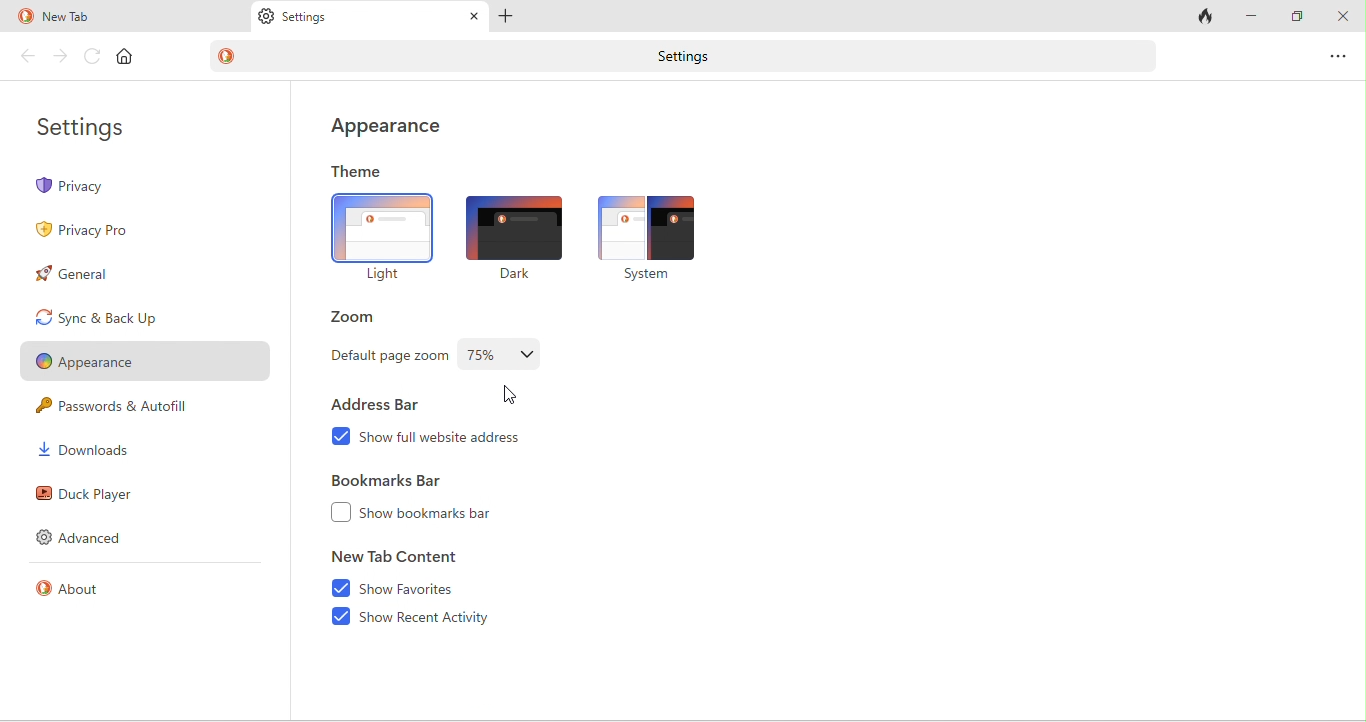  What do you see at coordinates (126, 57) in the screenshot?
I see `home` at bounding box center [126, 57].